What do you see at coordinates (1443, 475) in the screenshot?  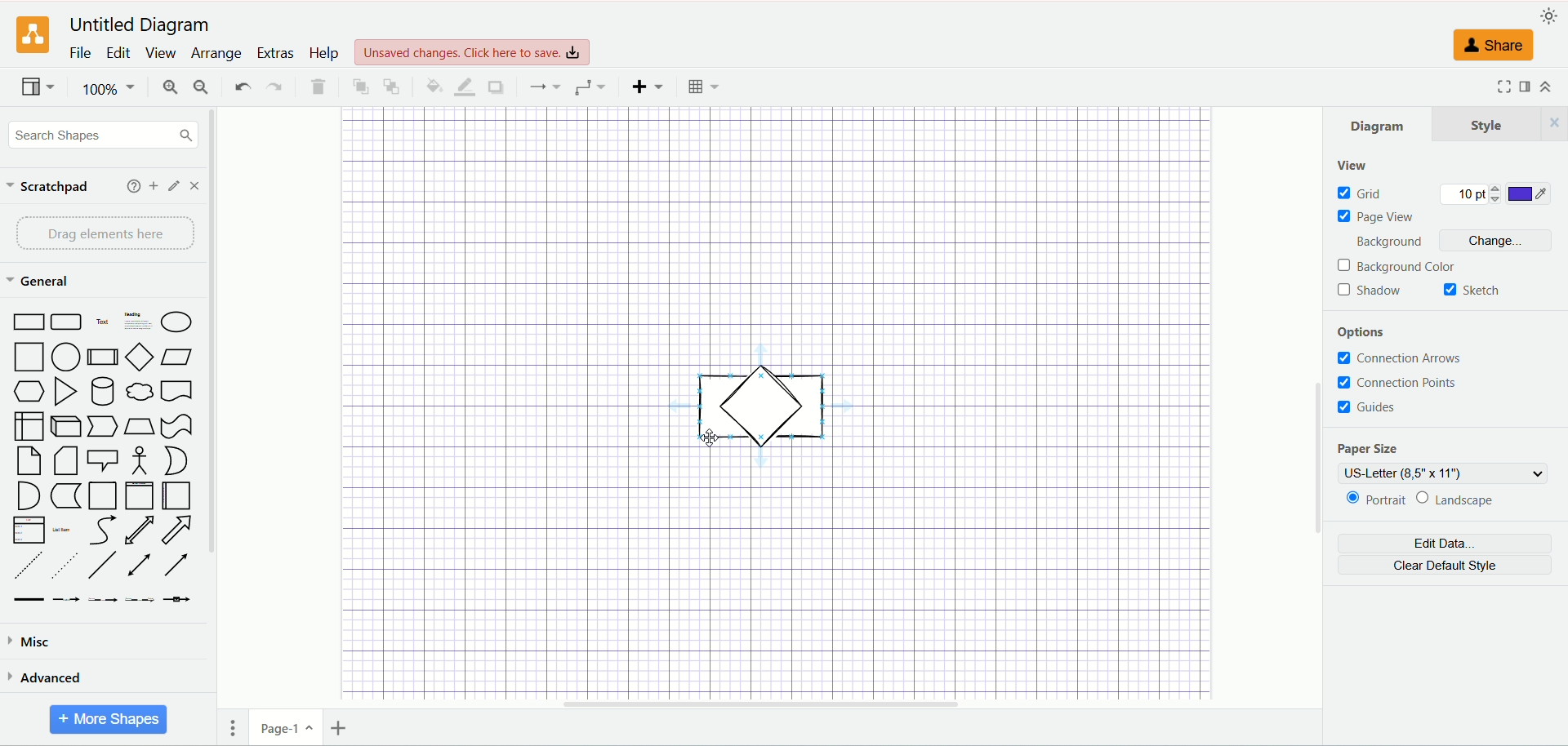 I see `US-letter(8,5" x 11")` at bounding box center [1443, 475].